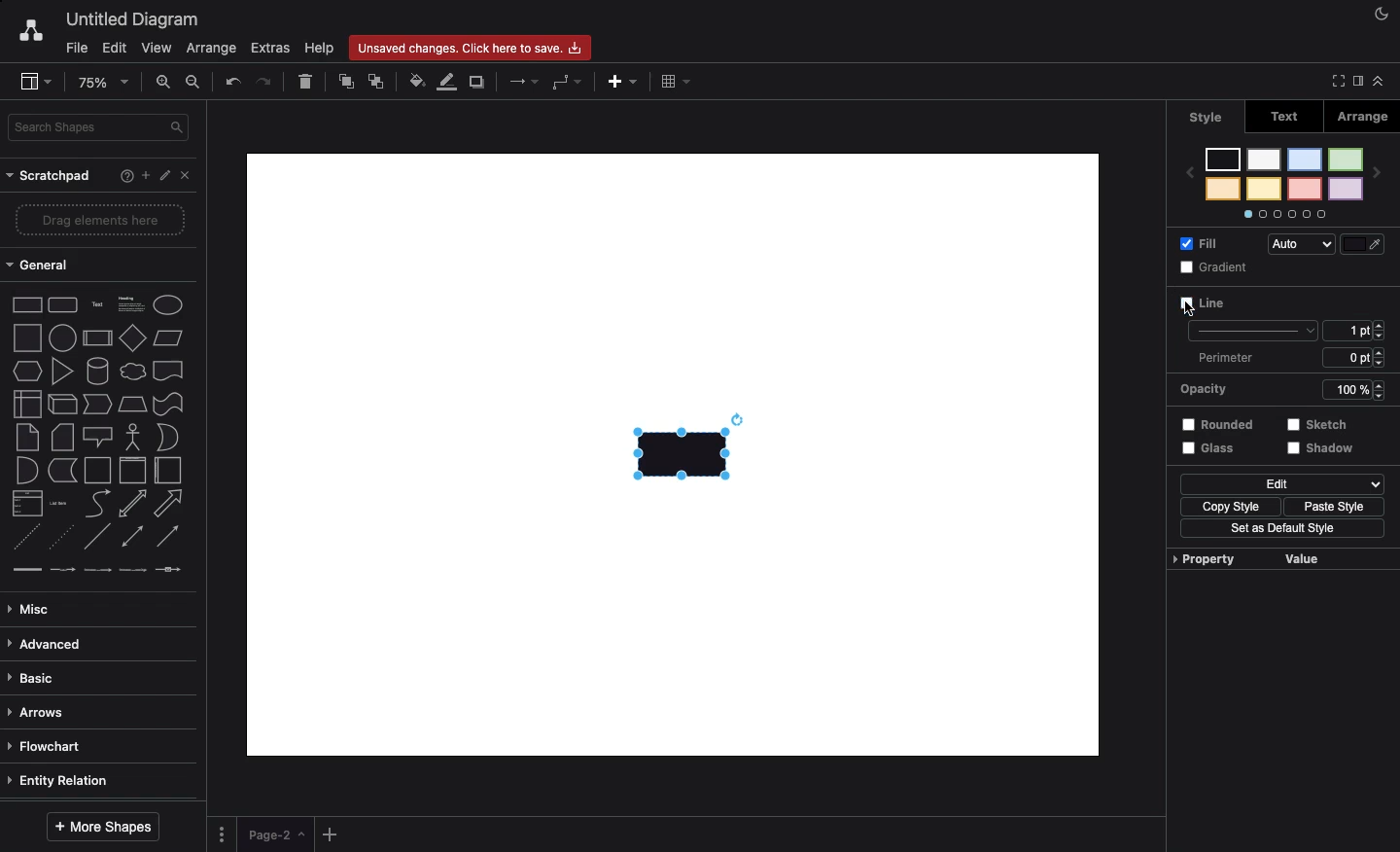 This screenshot has height=852, width=1400. Describe the element at coordinates (446, 83) in the screenshot. I see `Line color` at that location.